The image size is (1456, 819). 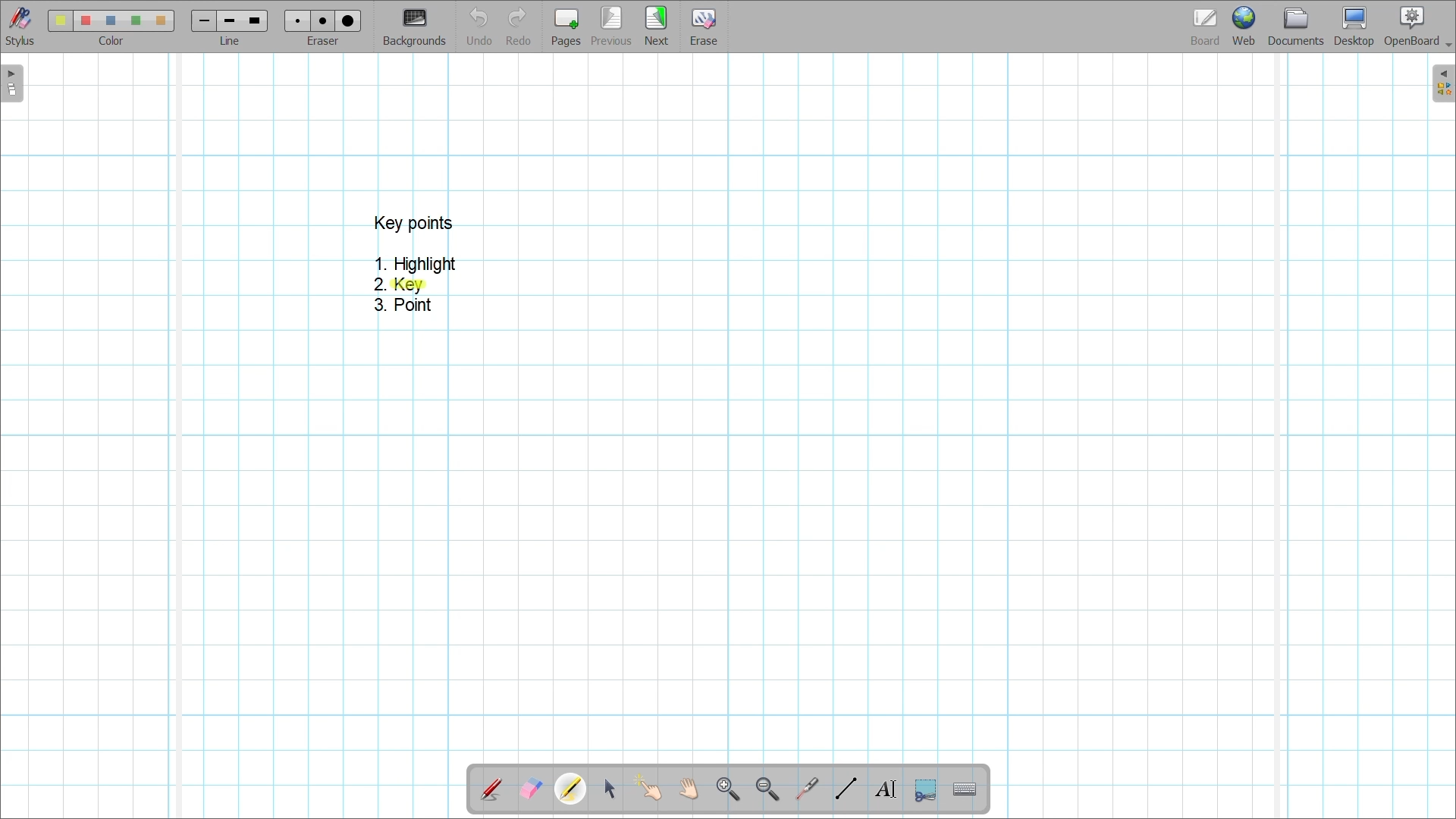 What do you see at coordinates (648, 788) in the screenshot?
I see `Interact with items` at bounding box center [648, 788].